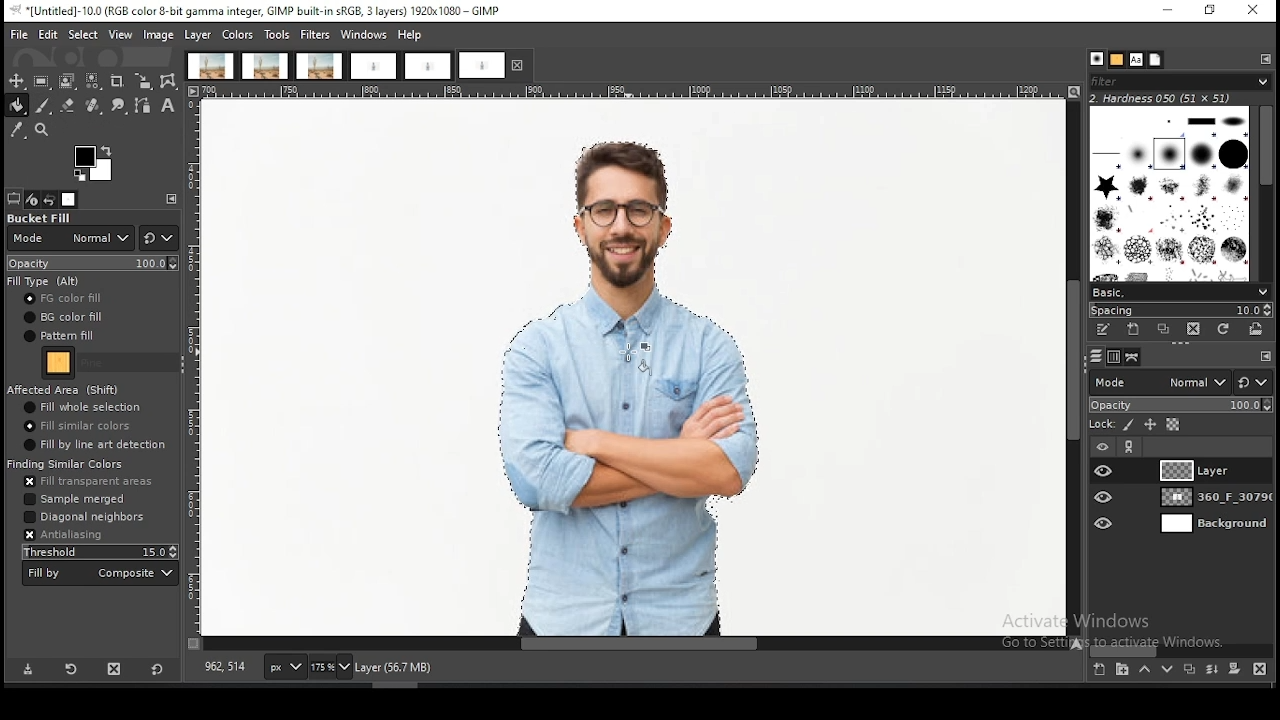 This screenshot has width=1280, height=720. What do you see at coordinates (1103, 448) in the screenshot?
I see `layer visibility on/off` at bounding box center [1103, 448].